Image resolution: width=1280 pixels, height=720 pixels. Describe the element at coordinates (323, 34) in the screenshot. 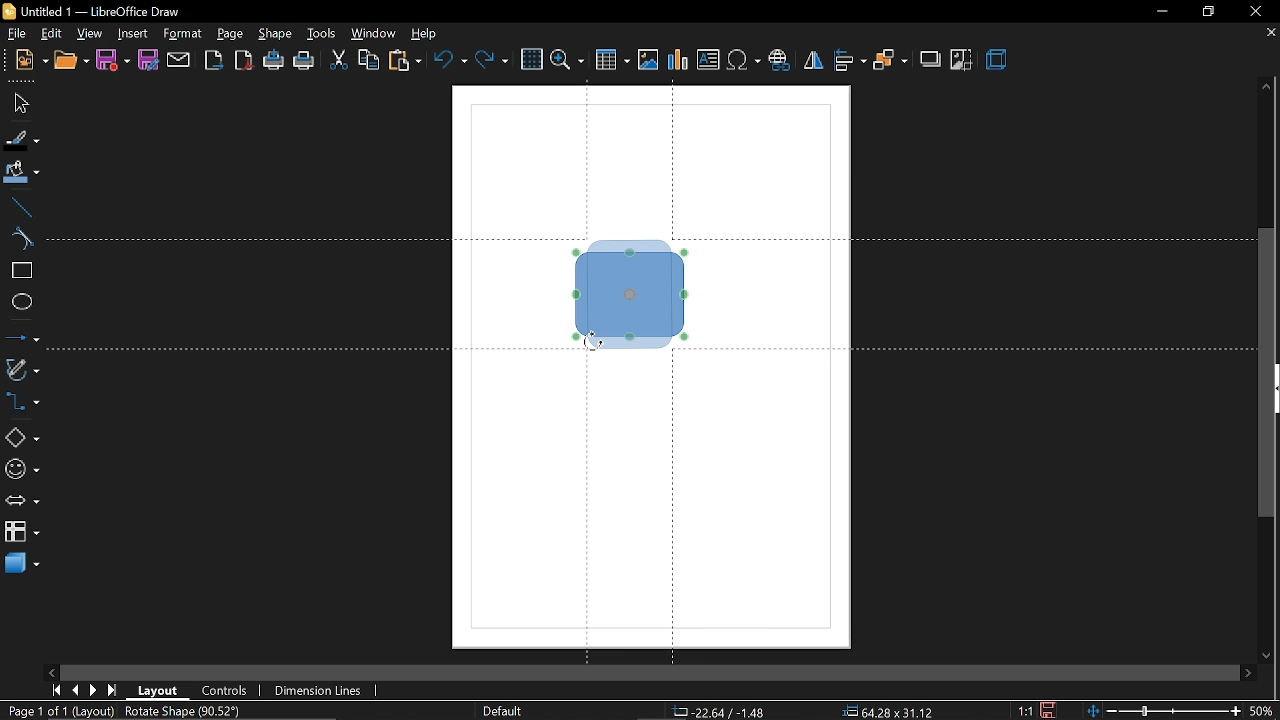

I see `tools` at that location.